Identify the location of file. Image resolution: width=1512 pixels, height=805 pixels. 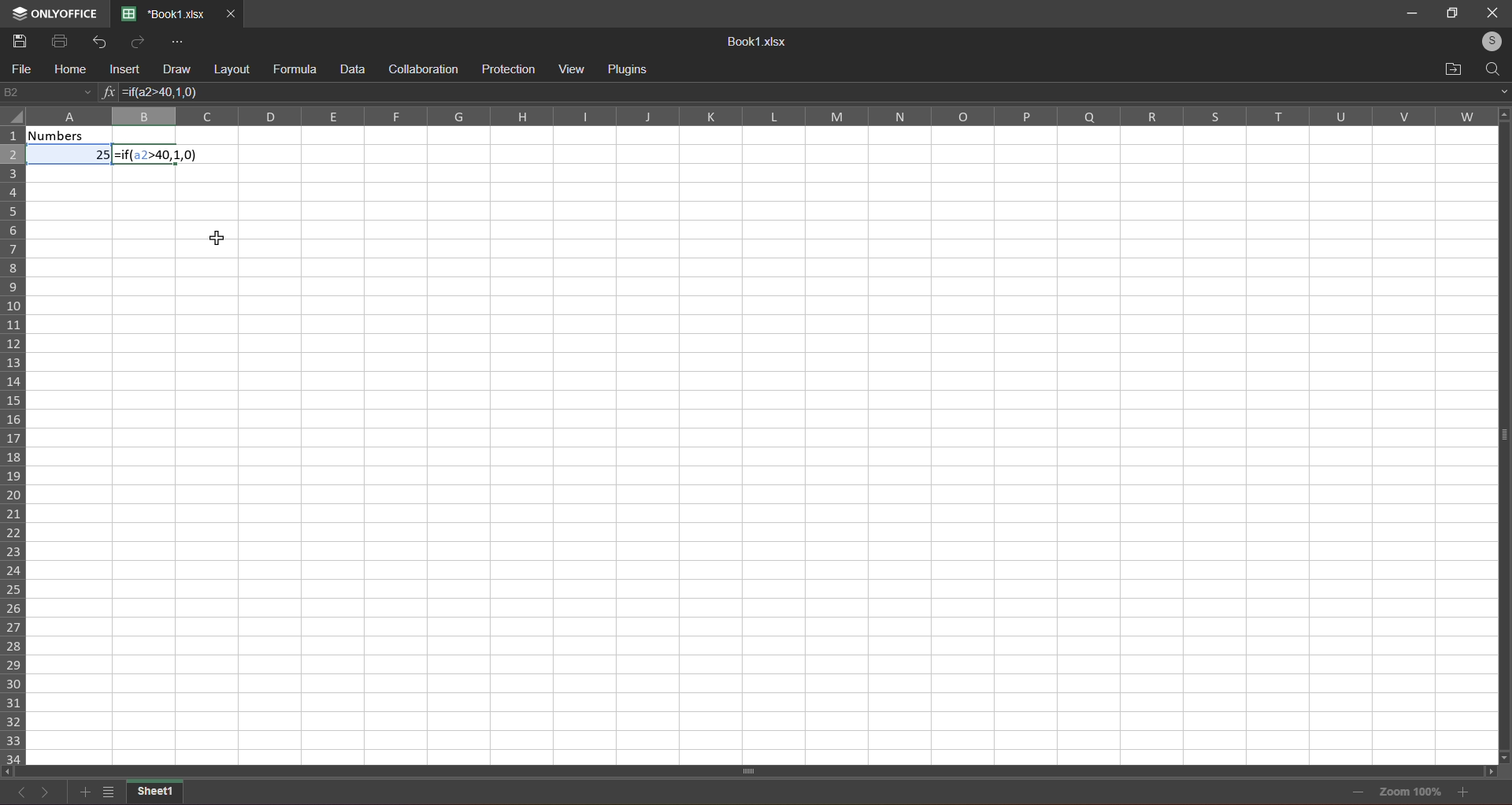
(20, 70).